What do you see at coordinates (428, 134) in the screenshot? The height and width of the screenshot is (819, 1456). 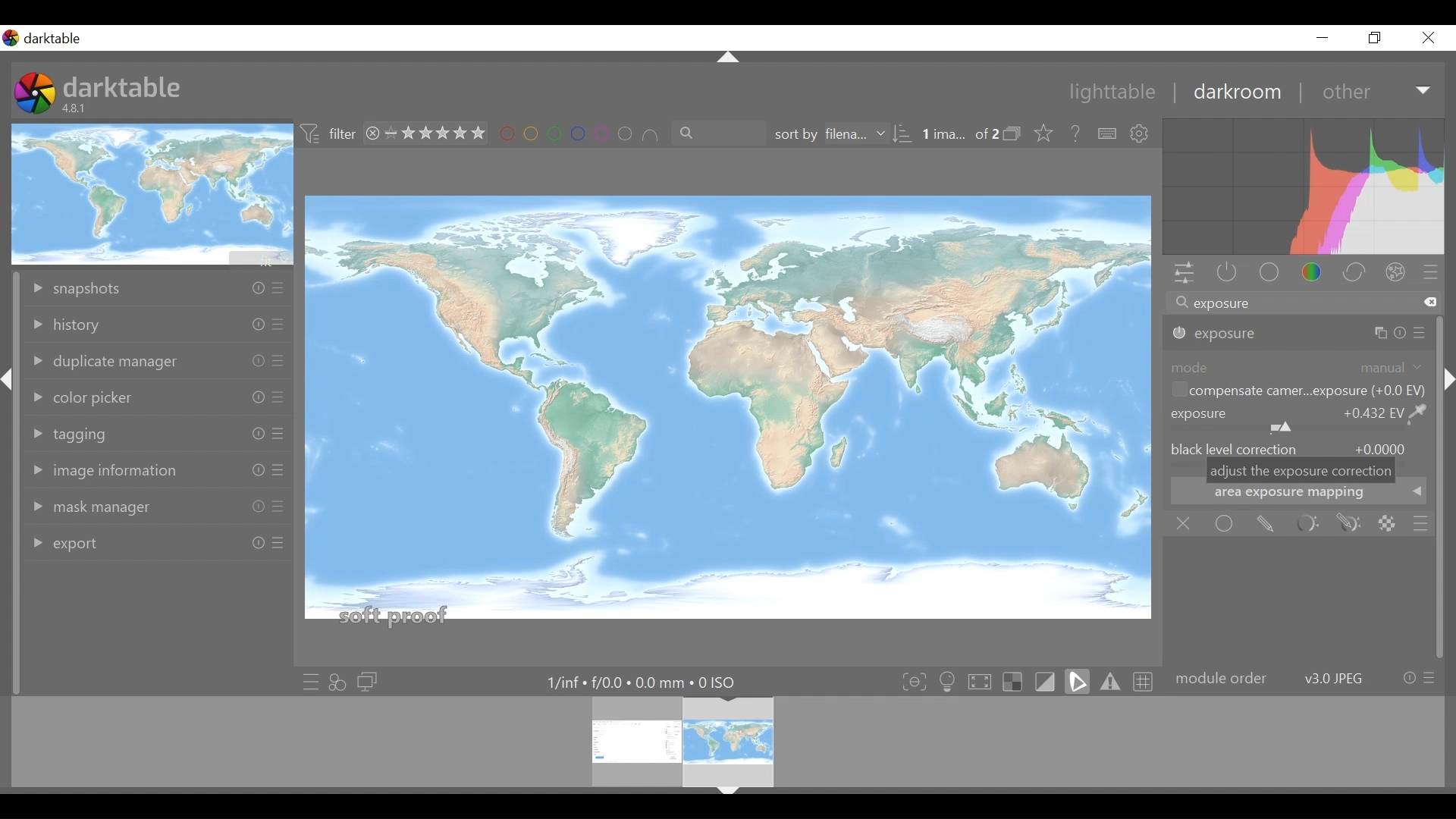 I see `range rating` at bounding box center [428, 134].